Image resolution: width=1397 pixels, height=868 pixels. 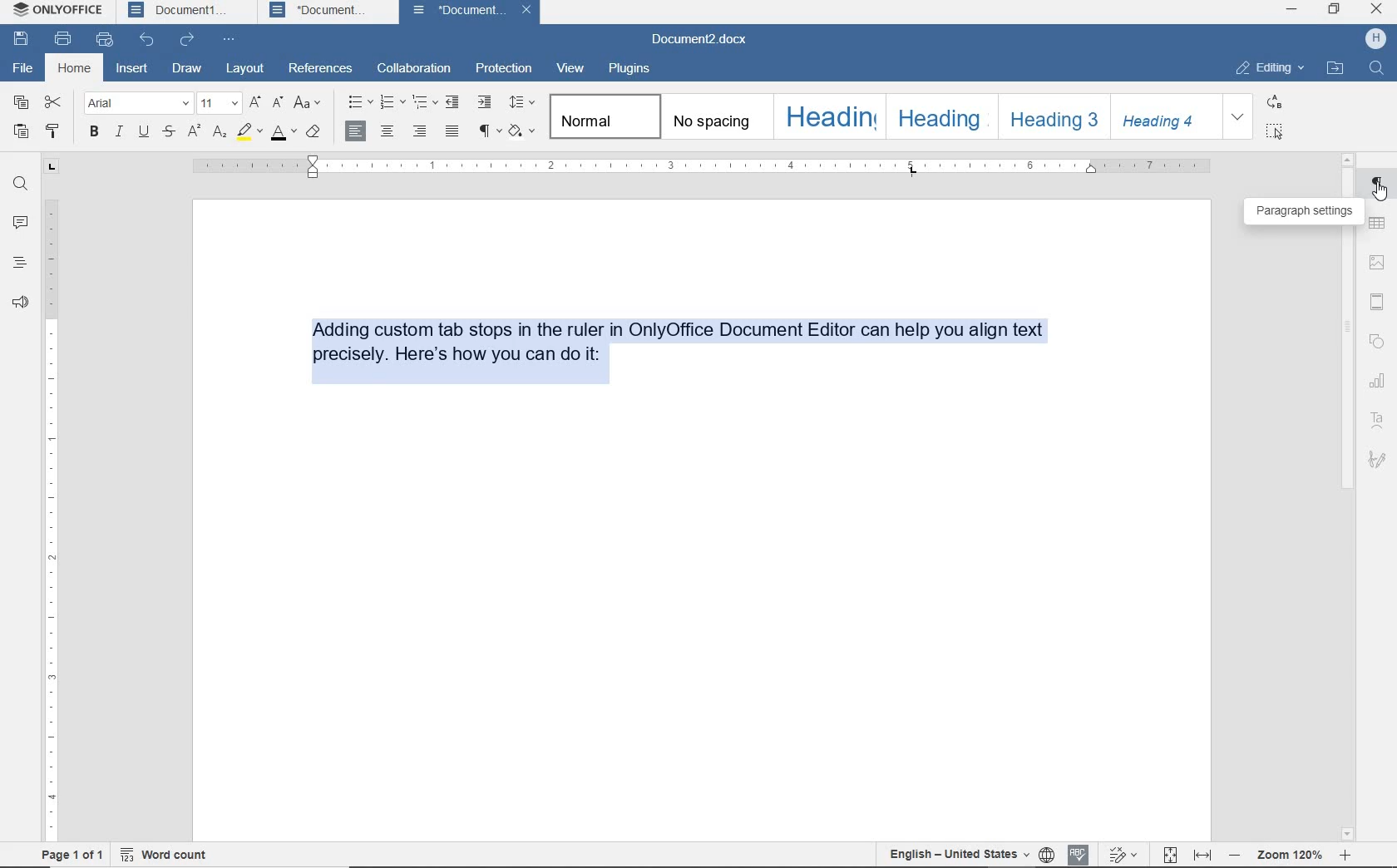 I want to click on subscript, so click(x=220, y=133).